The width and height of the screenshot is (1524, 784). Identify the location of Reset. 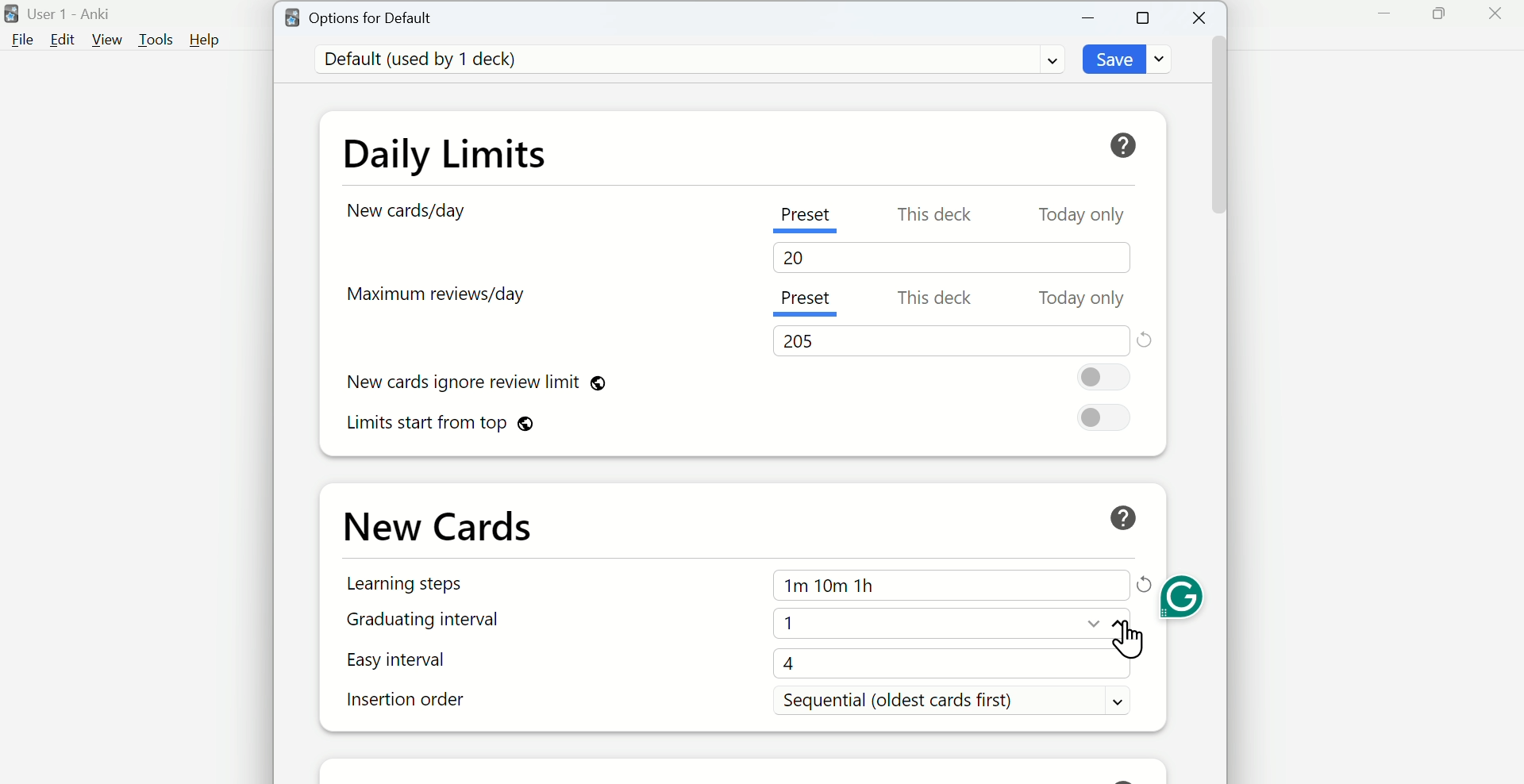
(1147, 338).